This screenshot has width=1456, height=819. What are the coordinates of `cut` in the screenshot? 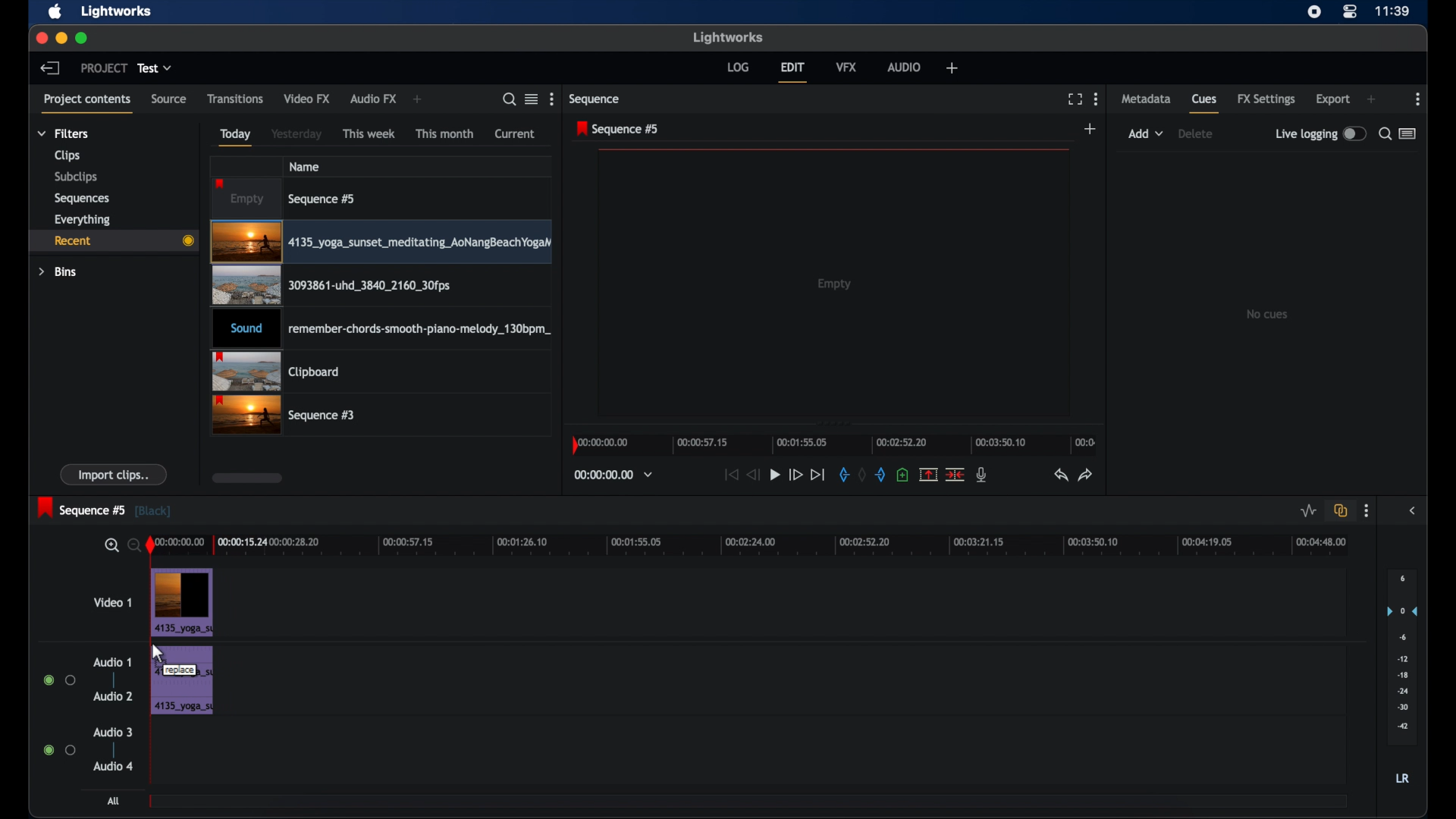 It's located at (955, 474).